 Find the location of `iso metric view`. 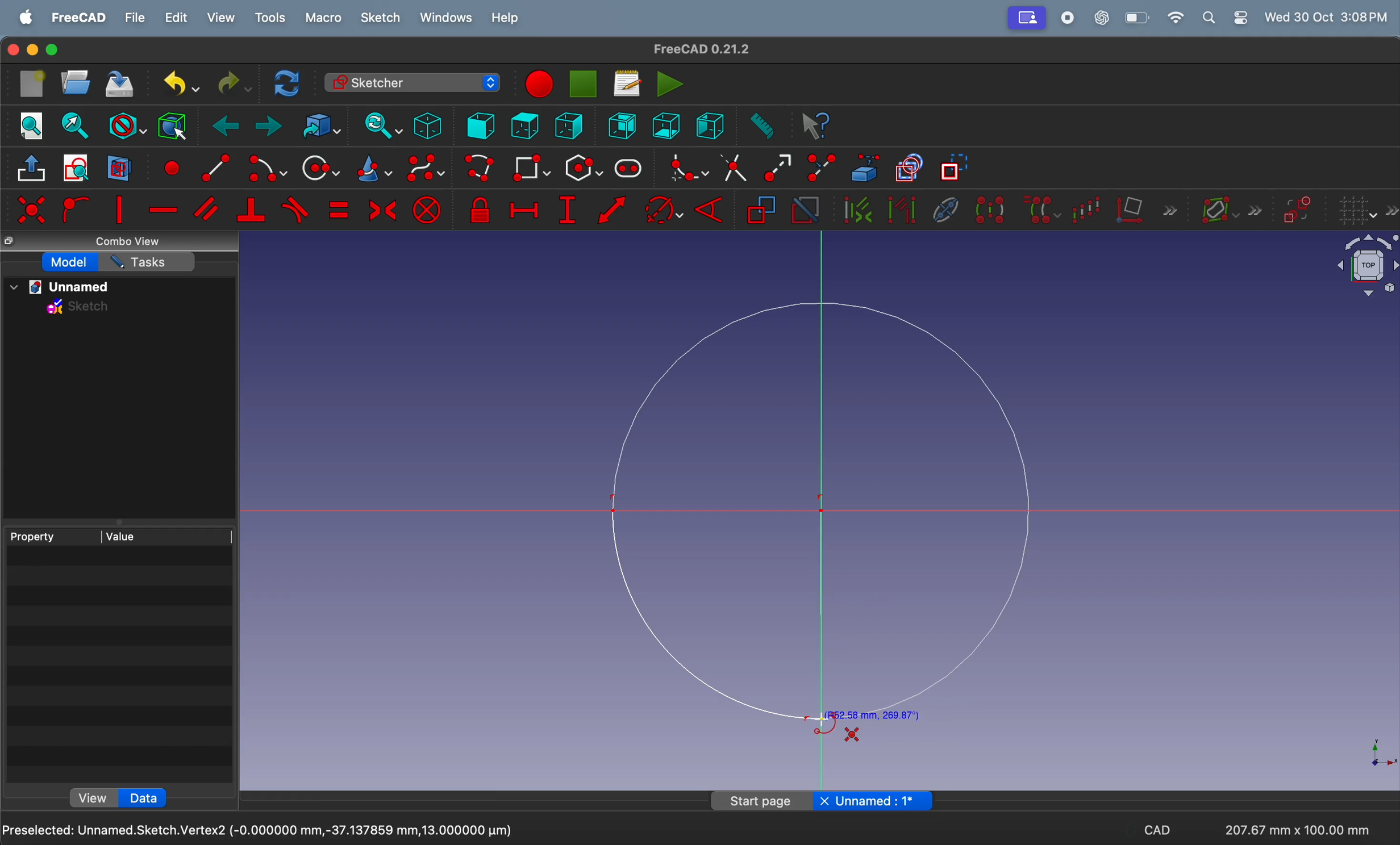

iso metric view is located at coordinates (427, 126).